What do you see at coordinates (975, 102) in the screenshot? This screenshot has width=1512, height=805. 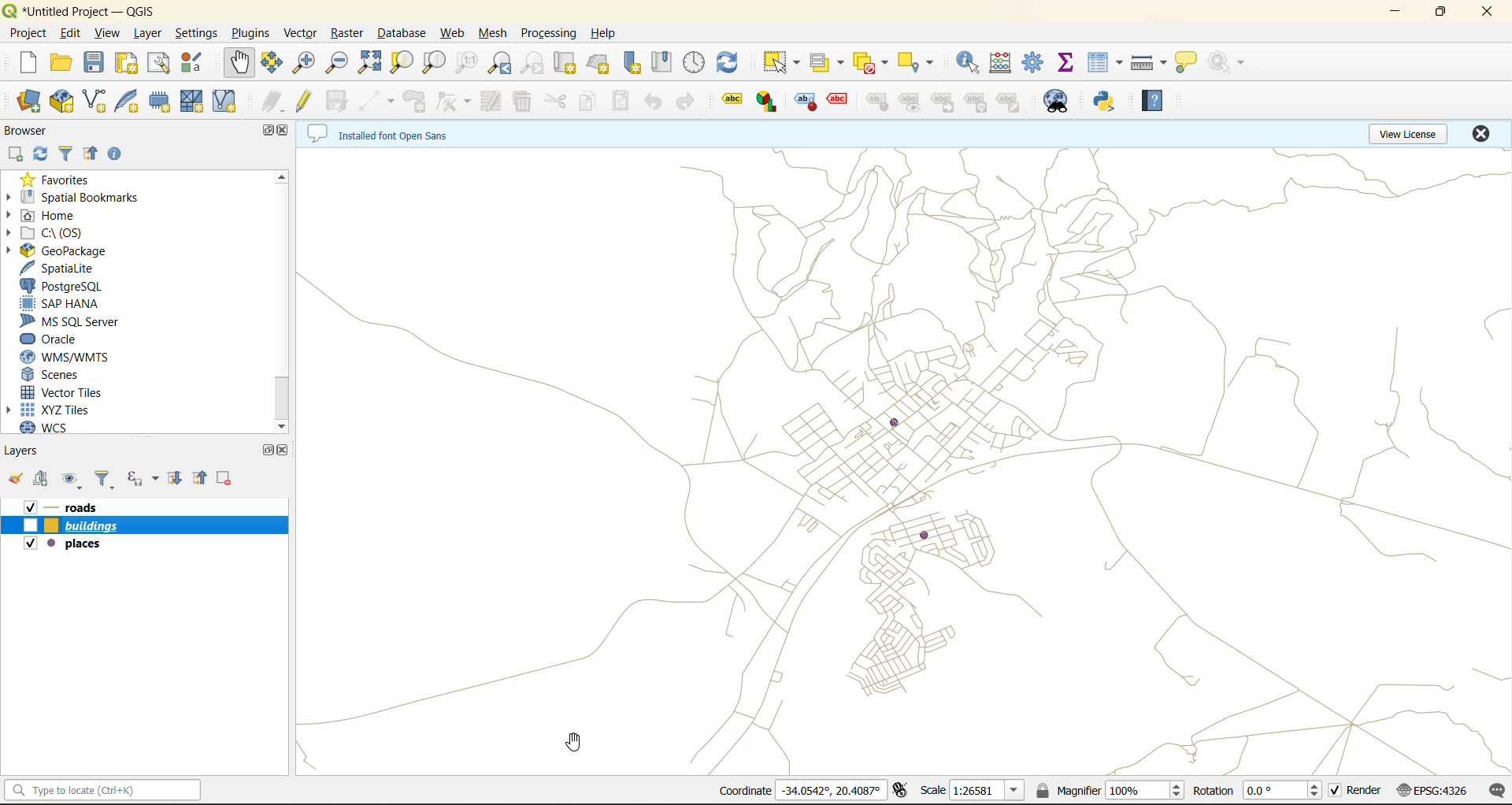 I see `Rotate Label` at bounding box center [975, 102].